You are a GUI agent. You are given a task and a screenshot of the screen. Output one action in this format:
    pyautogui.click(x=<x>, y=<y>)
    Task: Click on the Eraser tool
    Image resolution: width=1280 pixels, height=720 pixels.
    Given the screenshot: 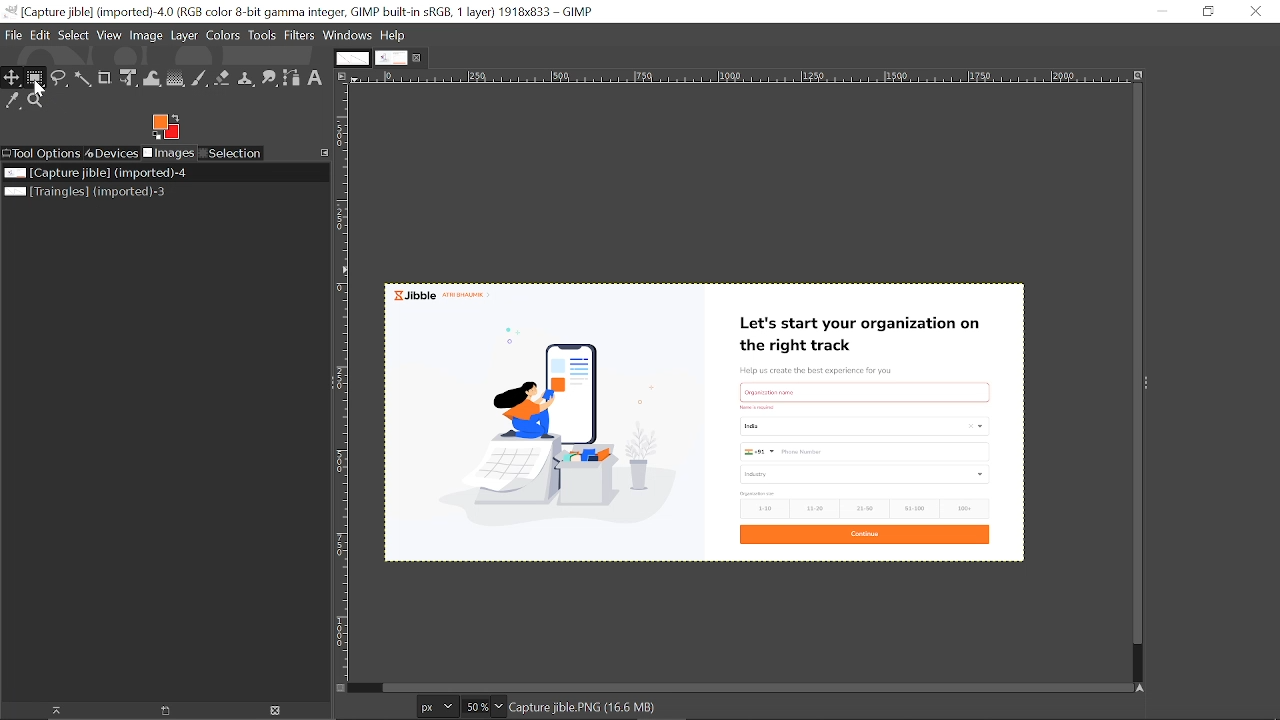 What is the action you would take?
    pyautogui.click(x=223, y=77)
    